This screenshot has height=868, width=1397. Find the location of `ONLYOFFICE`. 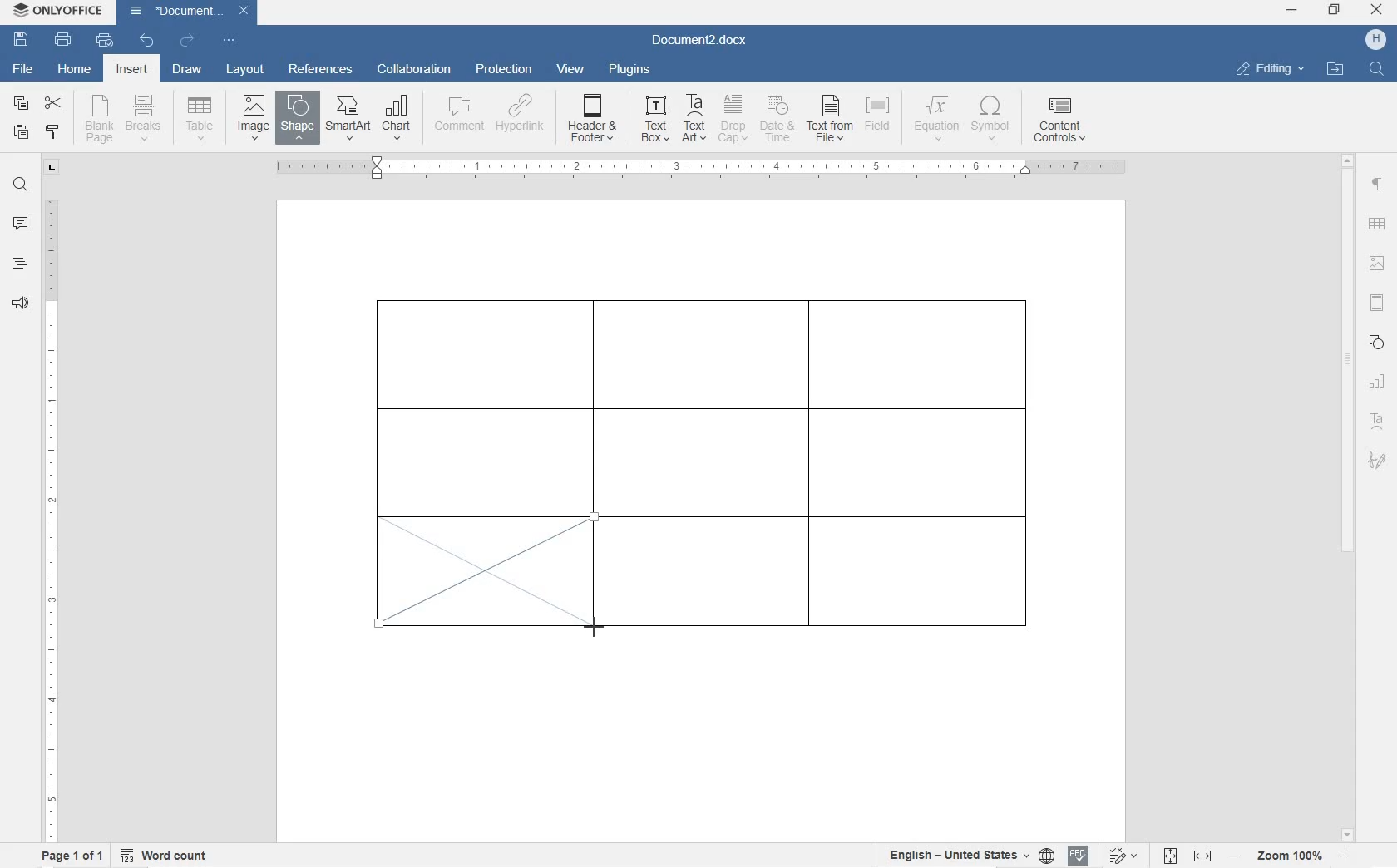

ONLYOFFICE is located at coordinates (61, 11).